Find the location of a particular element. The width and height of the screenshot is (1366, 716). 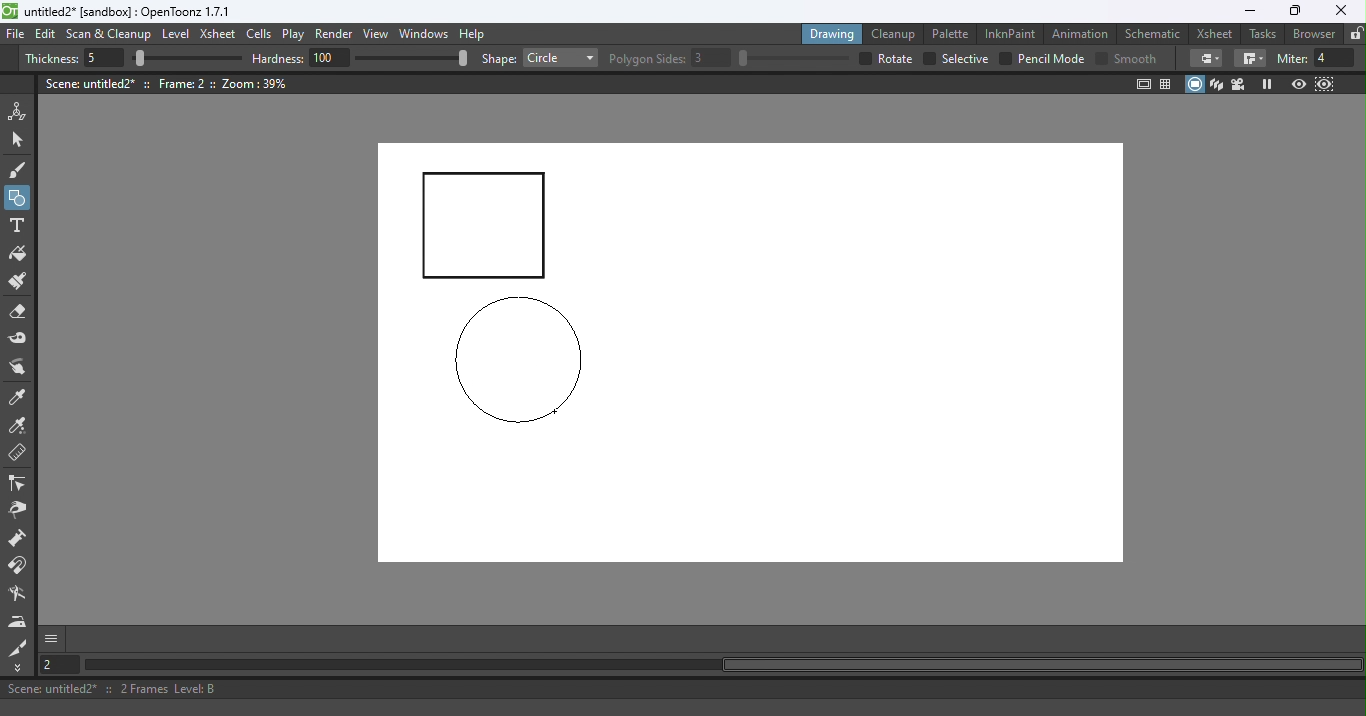

over all is located at coordinates (897, 58).